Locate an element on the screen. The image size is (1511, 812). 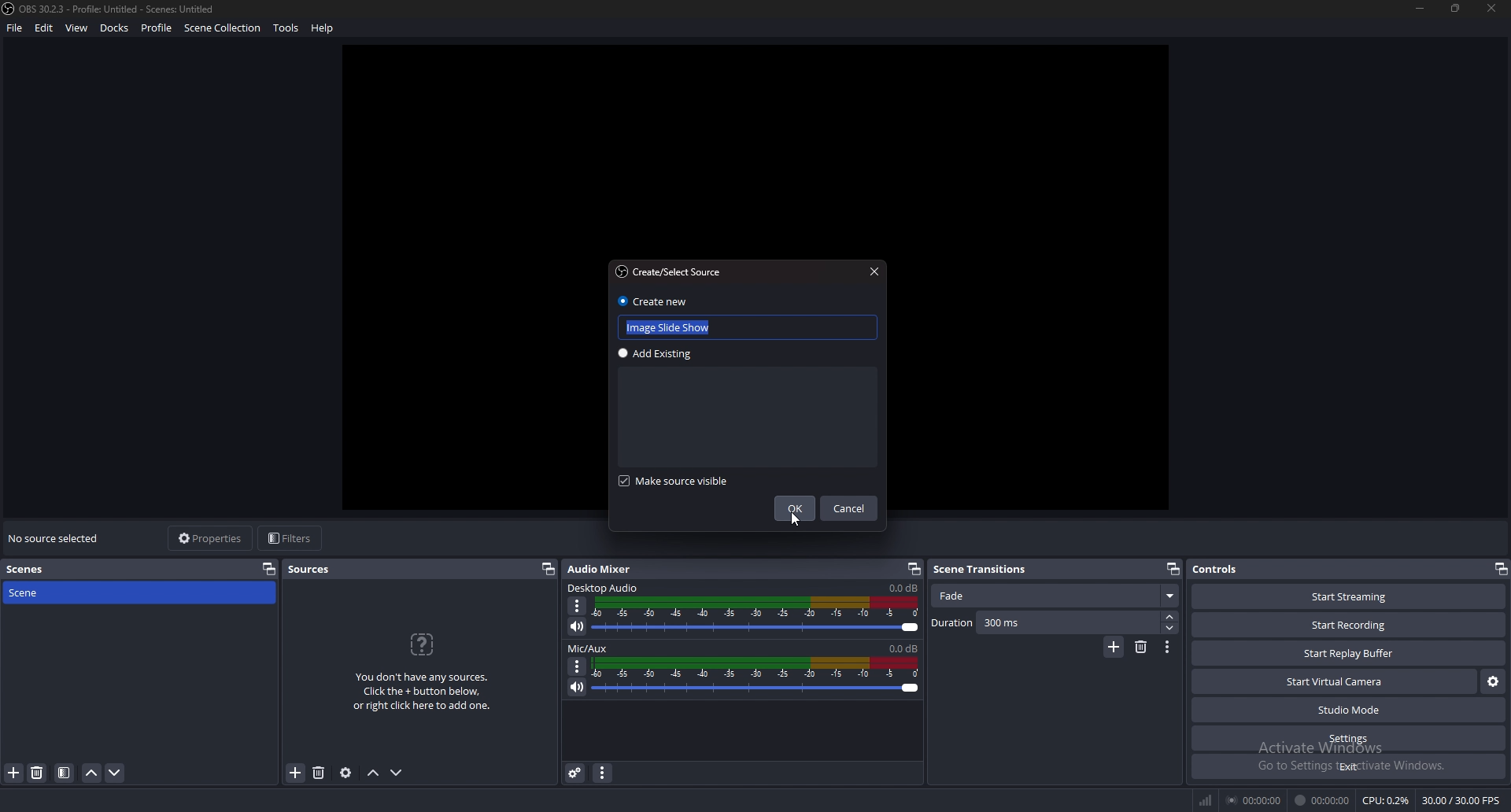
remove scene is located at coordinates (38, 773).